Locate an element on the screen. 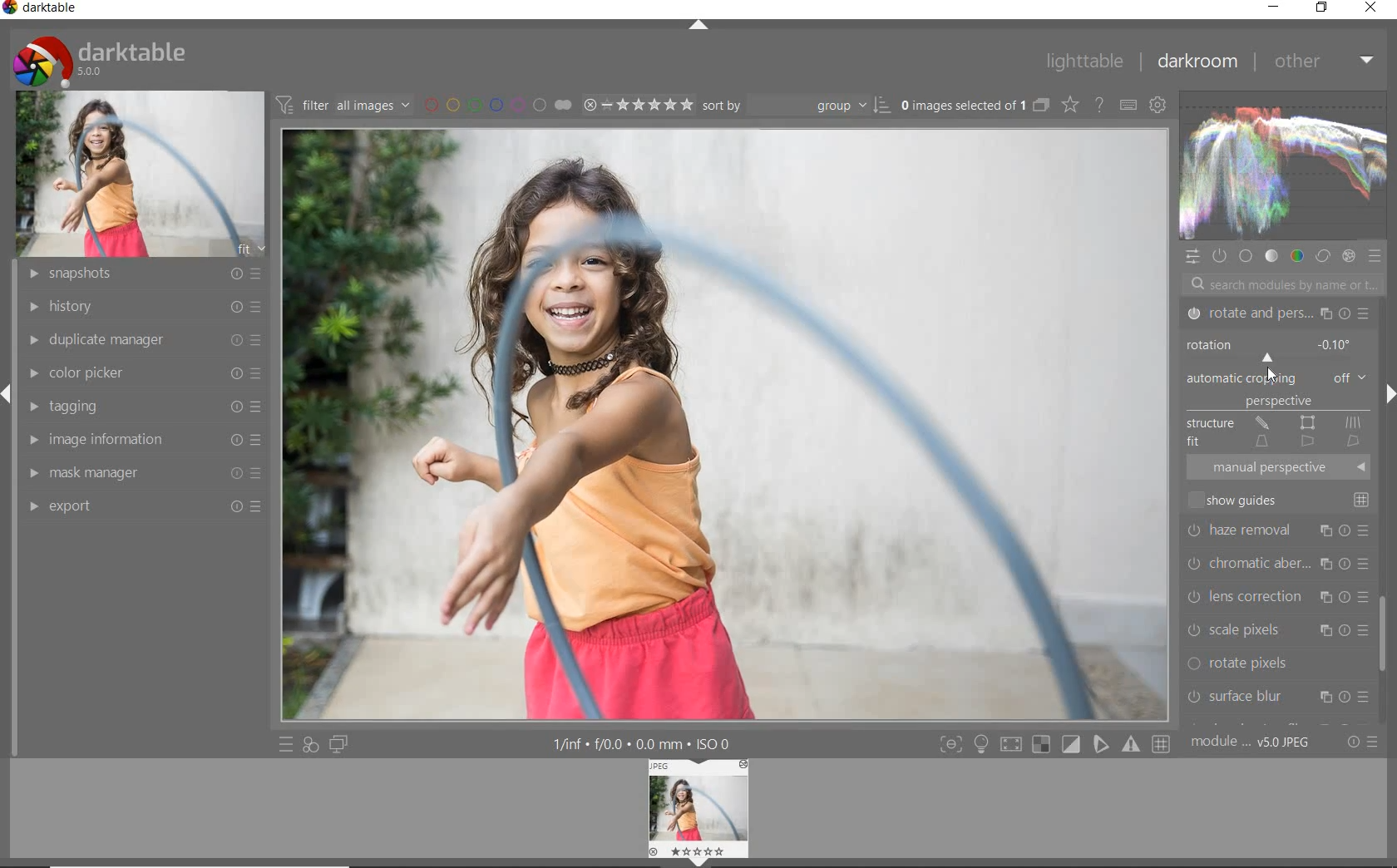  STRUCTURE is located at coordinates (1274, 423).